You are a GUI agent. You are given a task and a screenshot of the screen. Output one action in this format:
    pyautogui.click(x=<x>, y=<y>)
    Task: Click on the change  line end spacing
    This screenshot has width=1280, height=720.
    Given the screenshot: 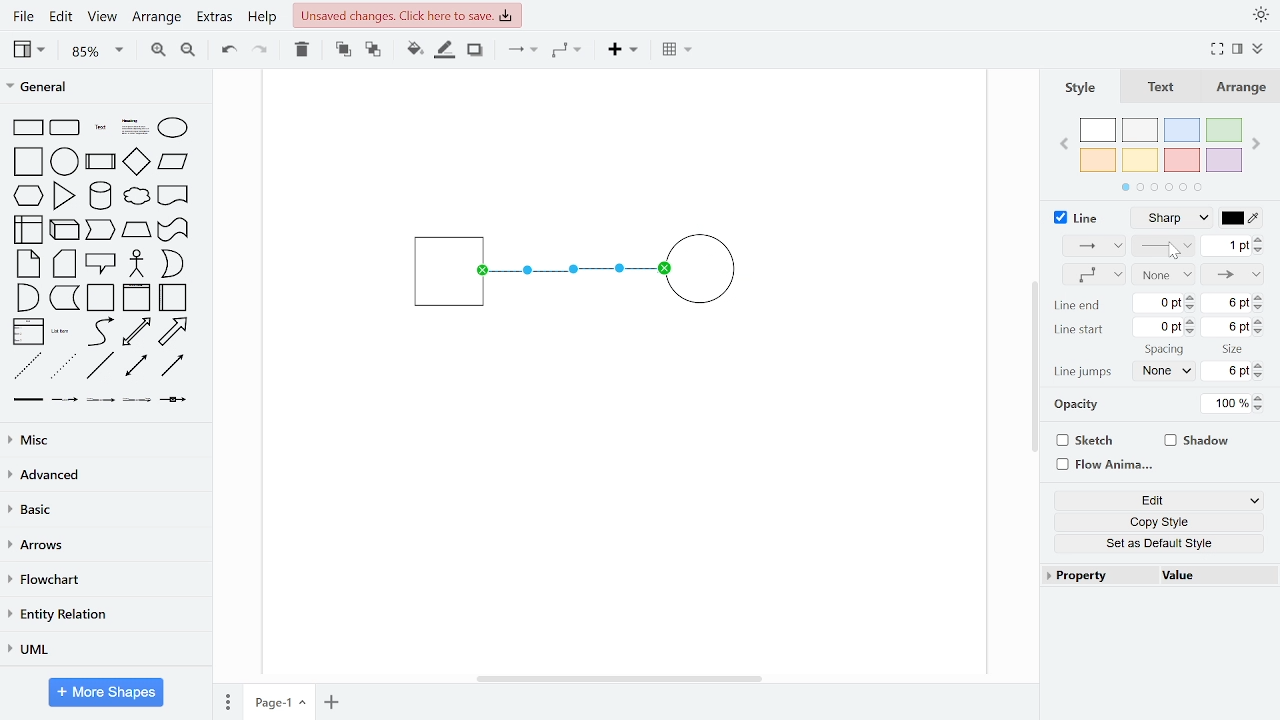 What is the action you would take?
    pyautogui.click(x=1166, y=305)
    